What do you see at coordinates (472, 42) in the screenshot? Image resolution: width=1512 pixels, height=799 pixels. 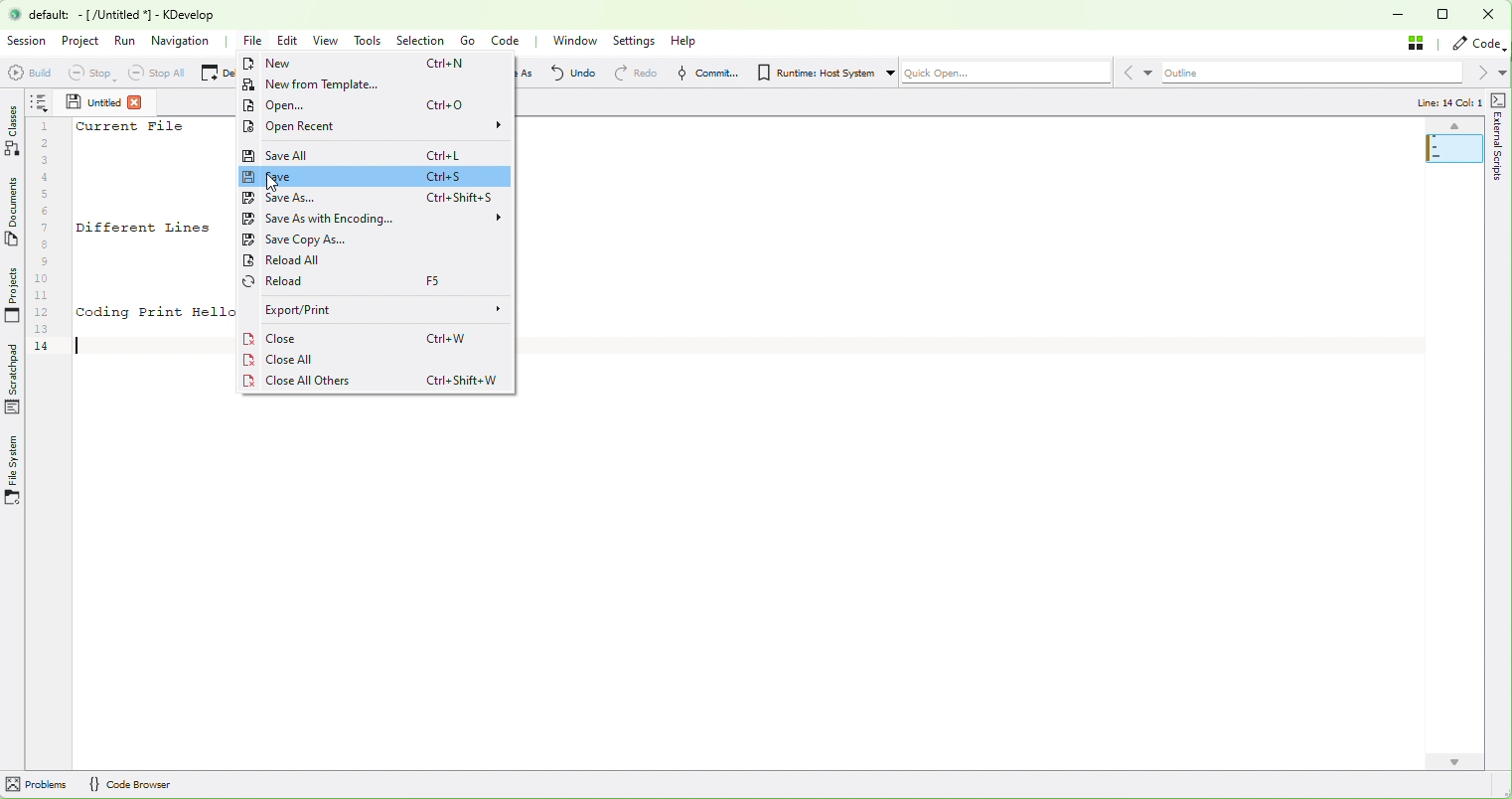 I see `Go` at bounding box center [472, 42].